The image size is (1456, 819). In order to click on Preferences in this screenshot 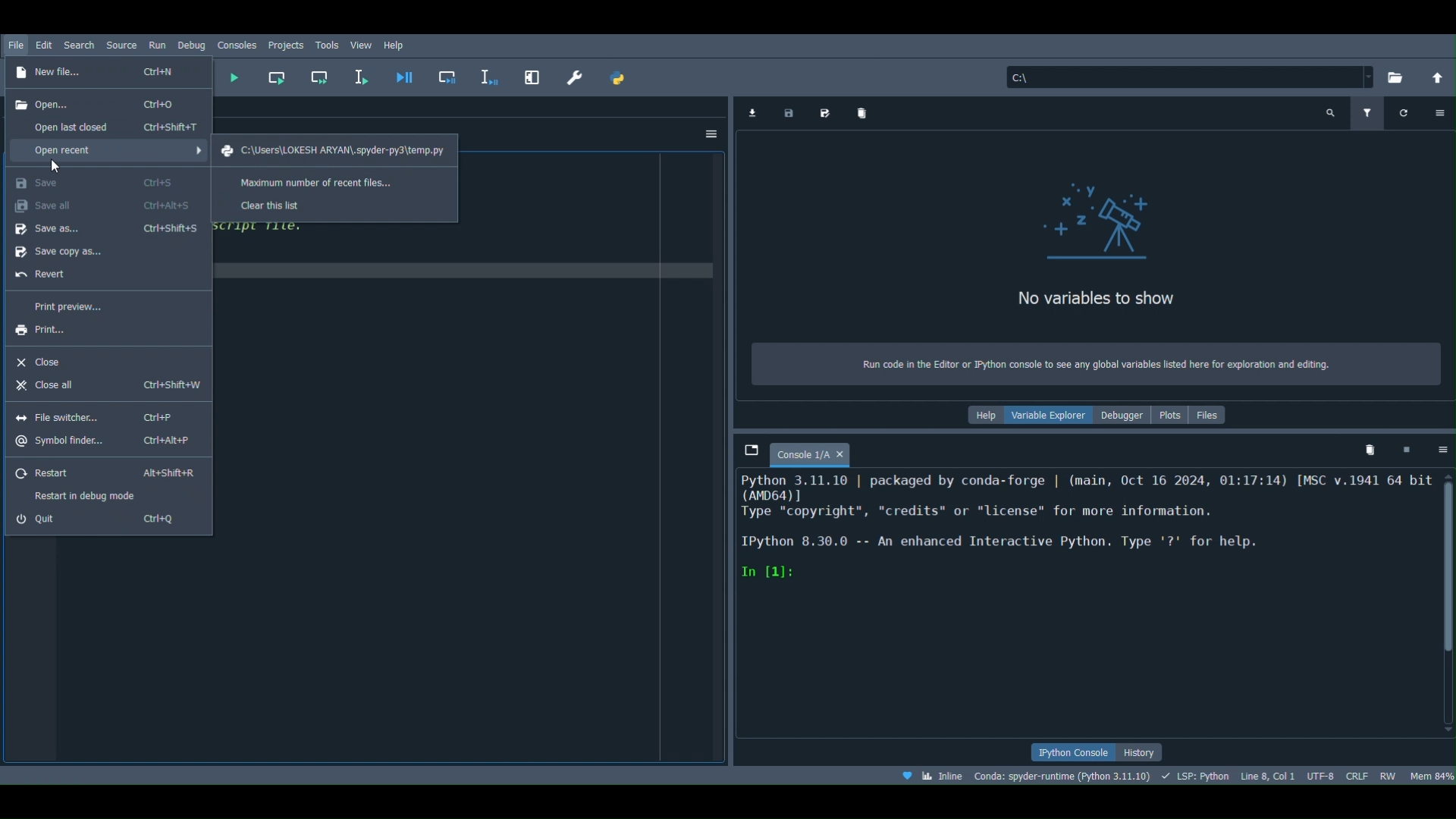, I will do `click(577, 77)`.